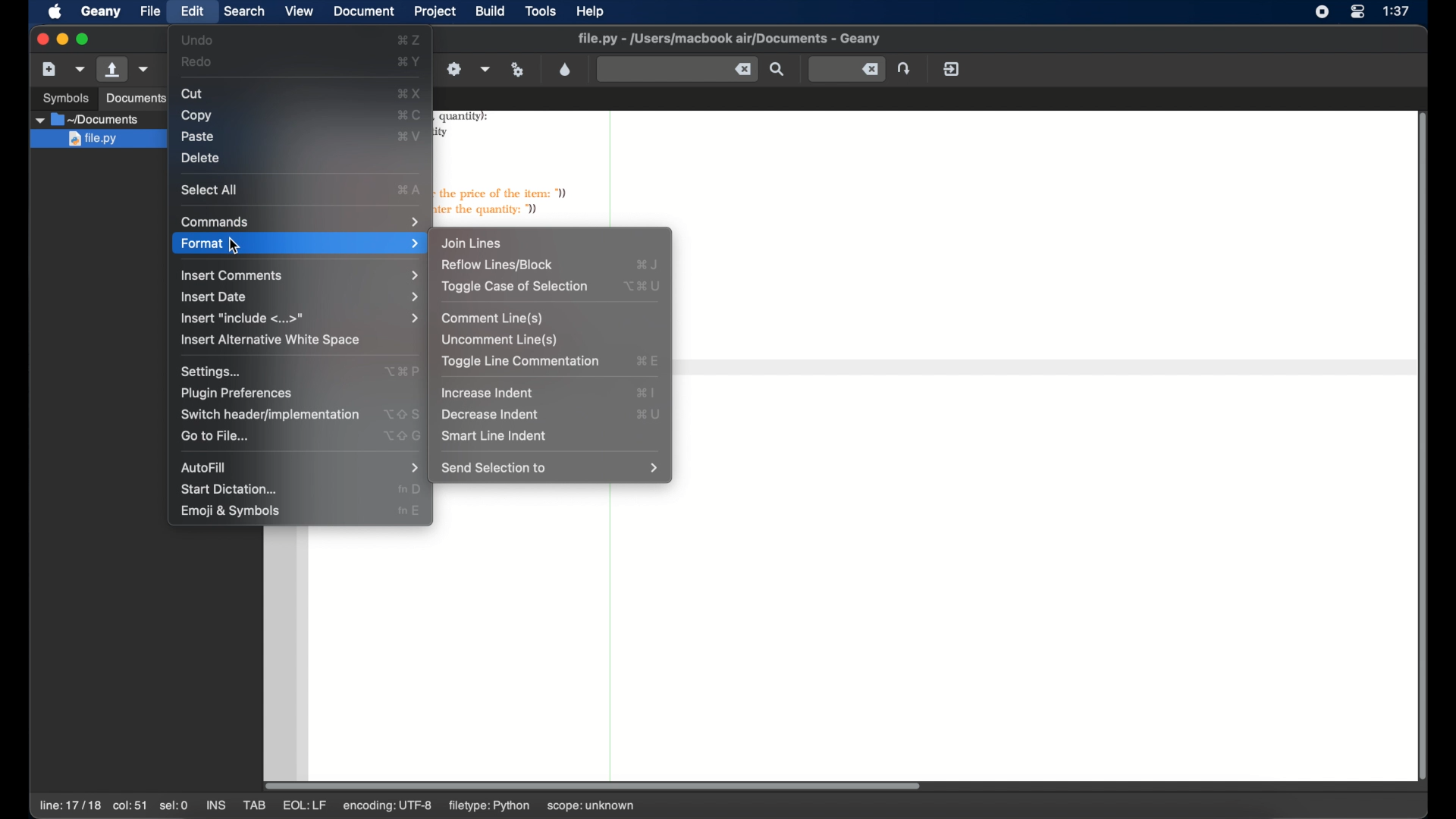  What do you see at coordinates (240, 394) in the screenshot?
I see `plugin preferences` at bounding box center [240, 394].